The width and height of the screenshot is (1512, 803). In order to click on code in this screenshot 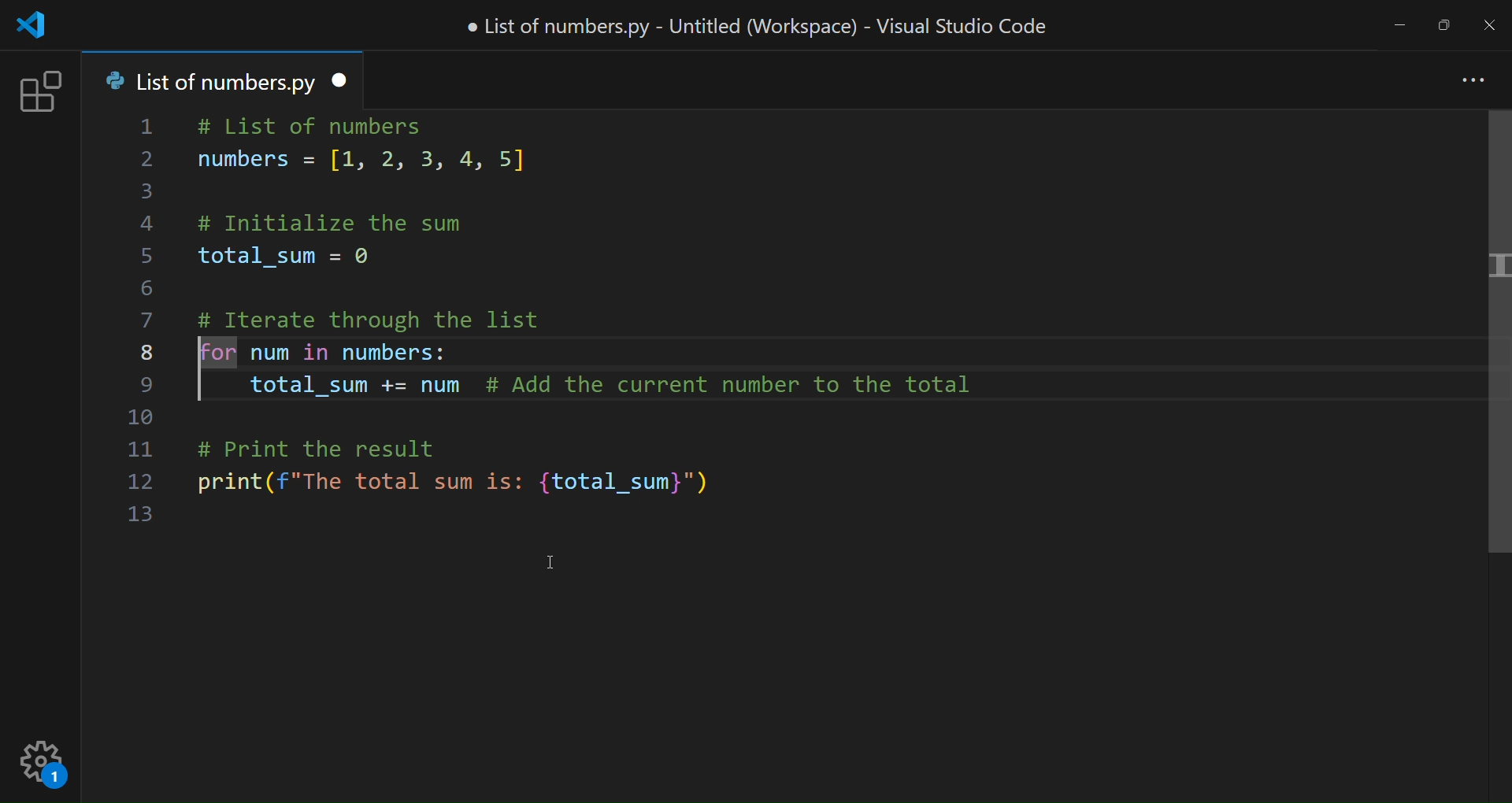, I will do `click(584, 313)`.